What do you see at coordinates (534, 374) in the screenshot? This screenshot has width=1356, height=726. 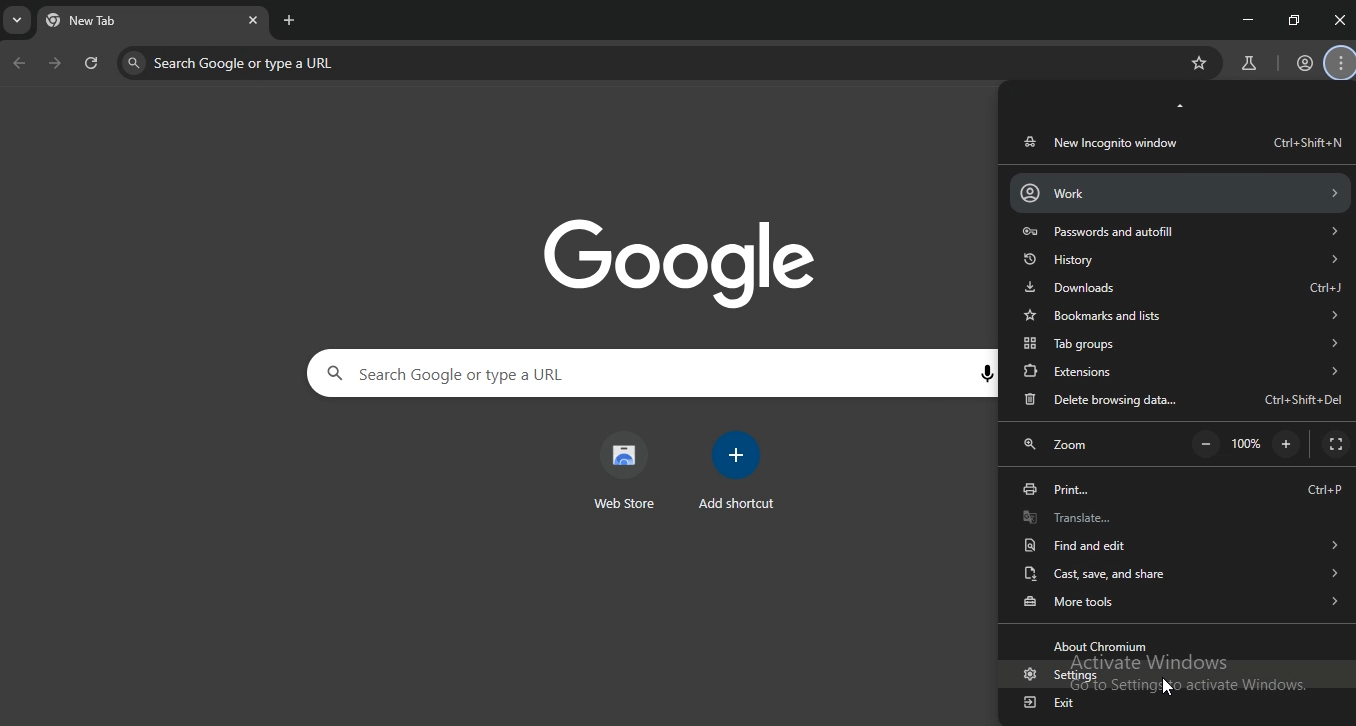 I see `search google or type a url` at bounding box center [534, 374].